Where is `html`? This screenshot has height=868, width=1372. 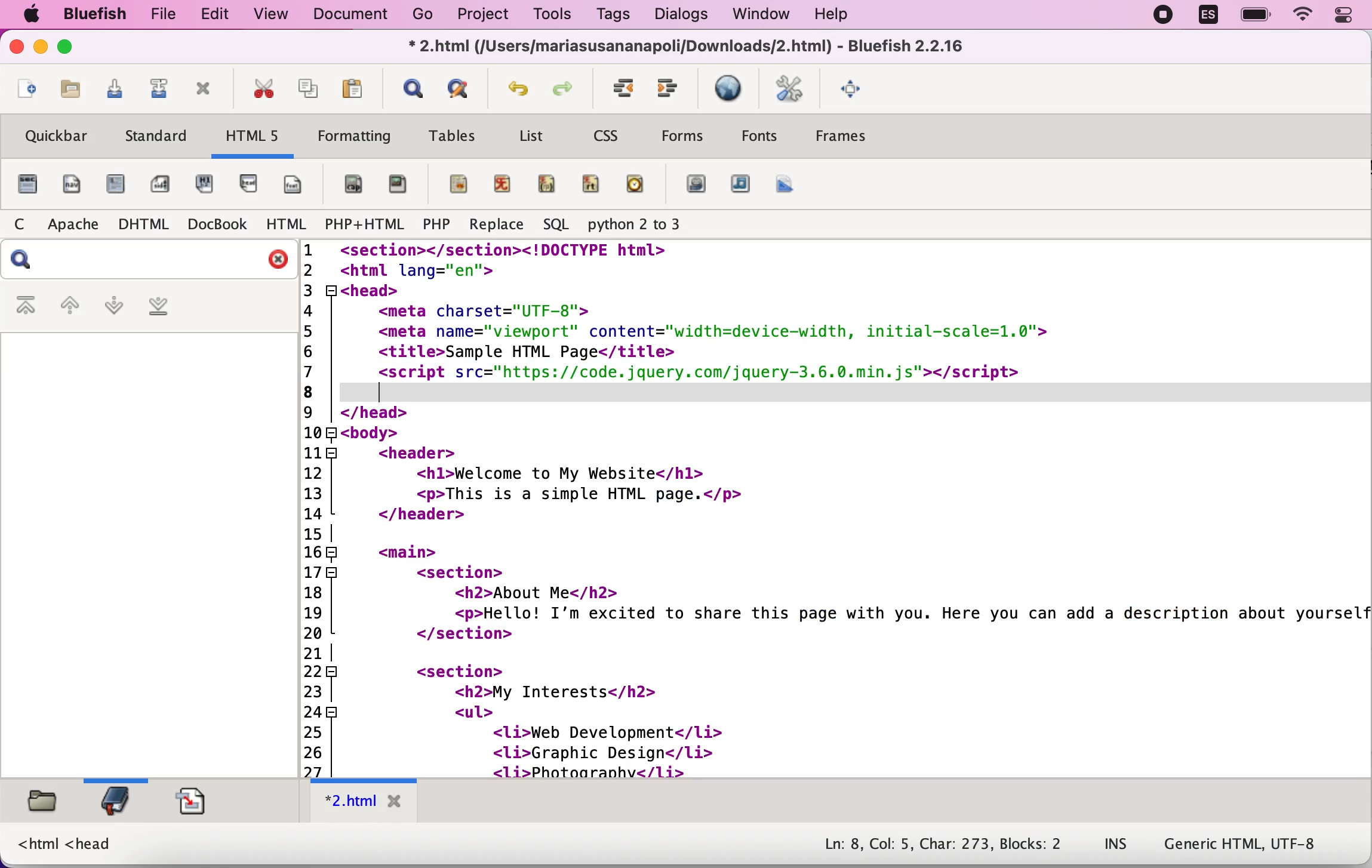 html is located at coordinates (286, 225).